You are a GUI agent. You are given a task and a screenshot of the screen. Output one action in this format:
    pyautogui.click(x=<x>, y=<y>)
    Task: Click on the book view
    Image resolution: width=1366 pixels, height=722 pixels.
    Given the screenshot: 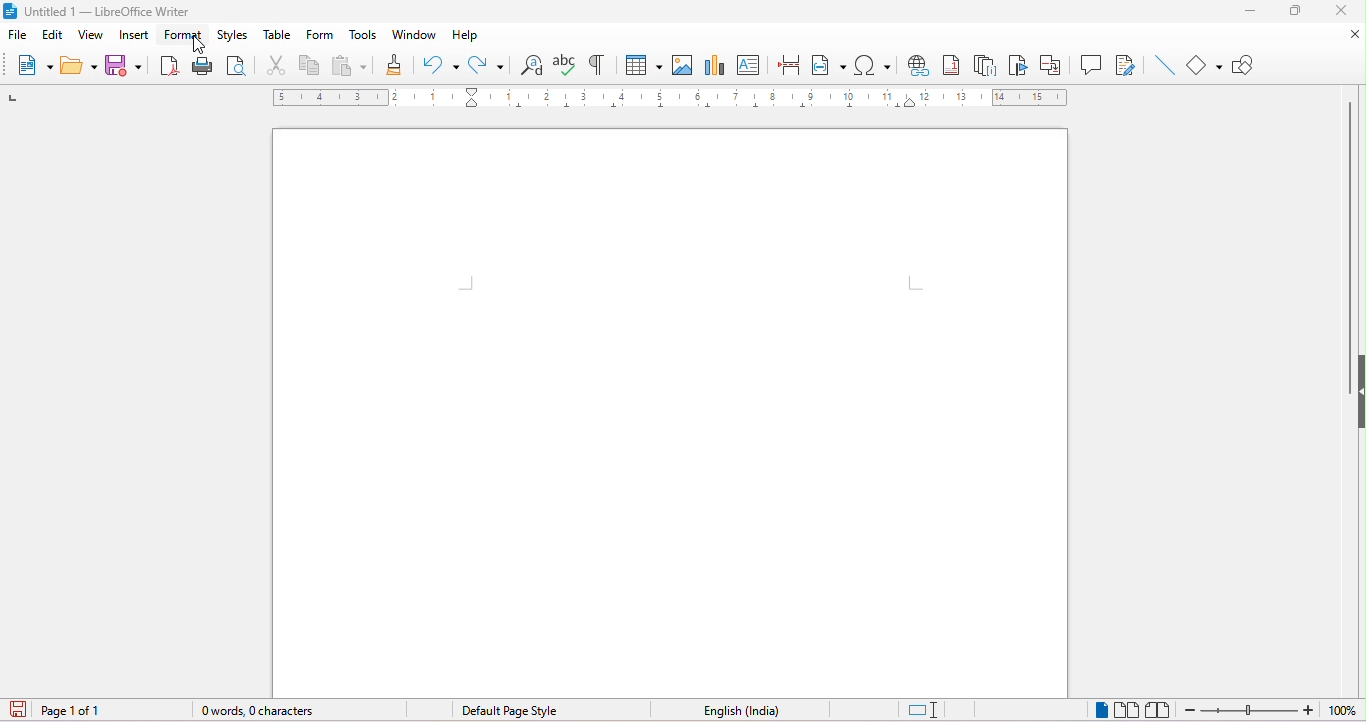 What is the action you would take?
    pyautogui.click(x=1162, y=705)
    